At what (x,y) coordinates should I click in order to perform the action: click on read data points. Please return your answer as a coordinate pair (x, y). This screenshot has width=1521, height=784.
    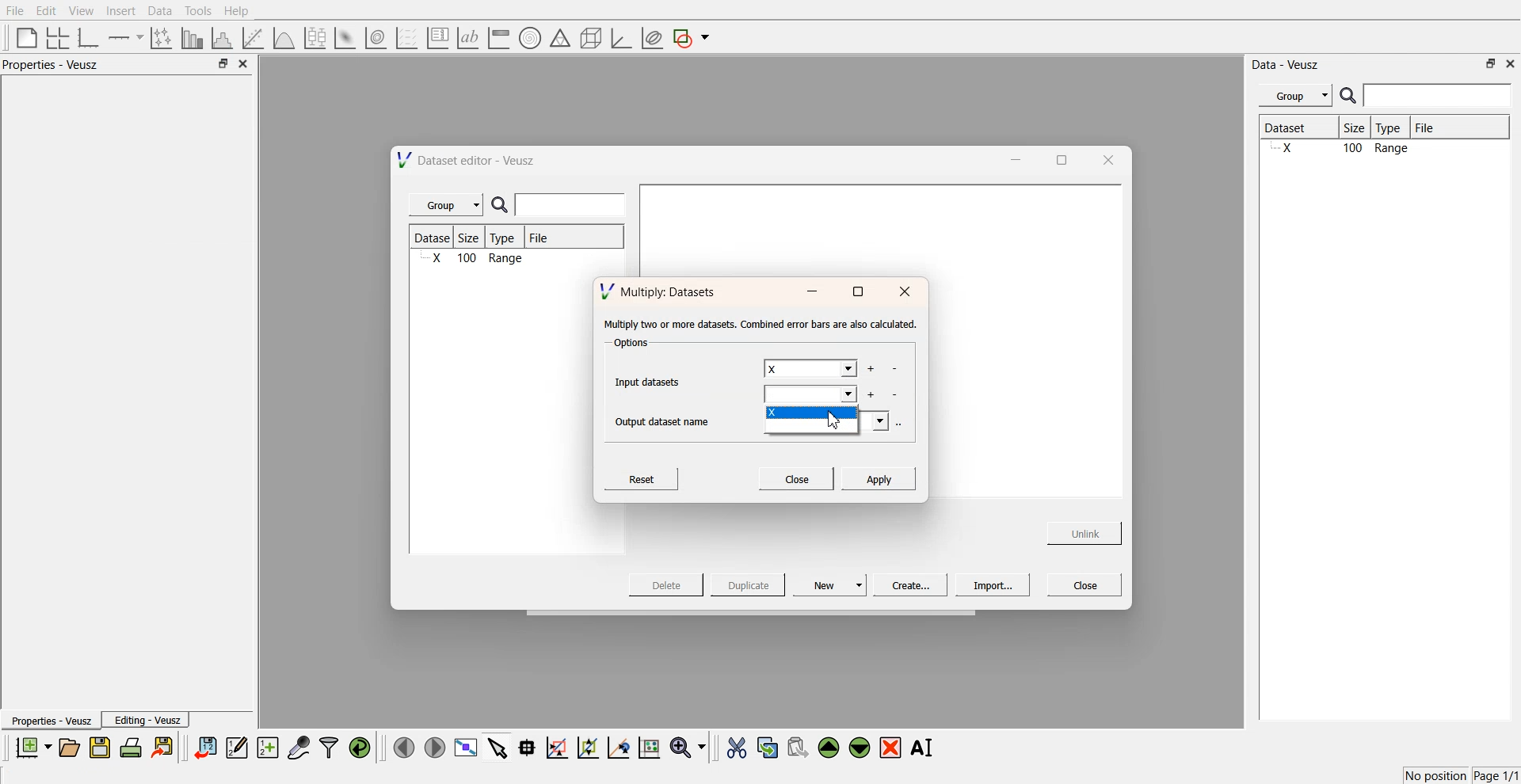
    Looking at the image, I should click on (527, 748).